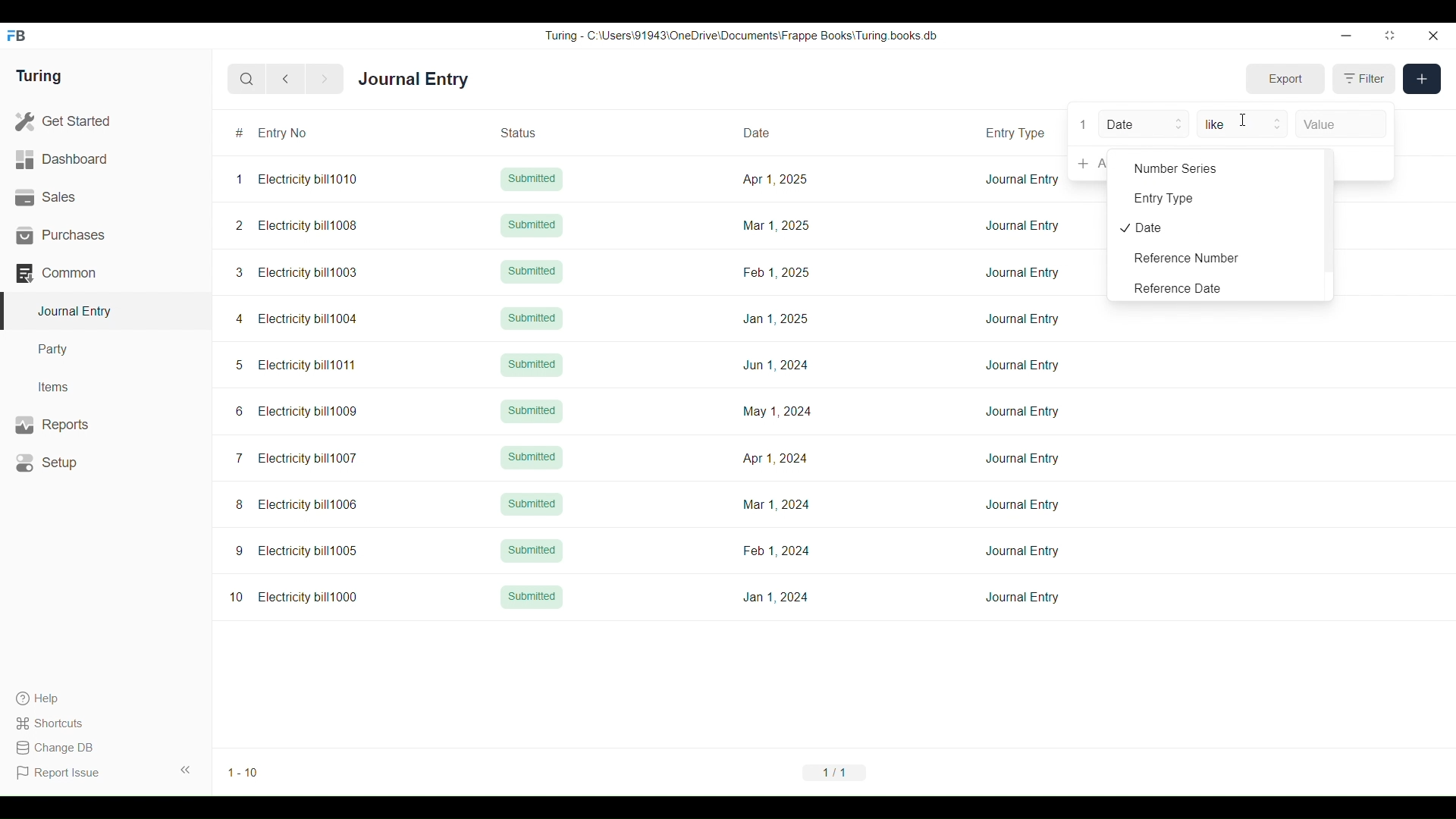  Describe the element at coordinates (532, 457) in the screenshot. I see `Submitted` at that location.